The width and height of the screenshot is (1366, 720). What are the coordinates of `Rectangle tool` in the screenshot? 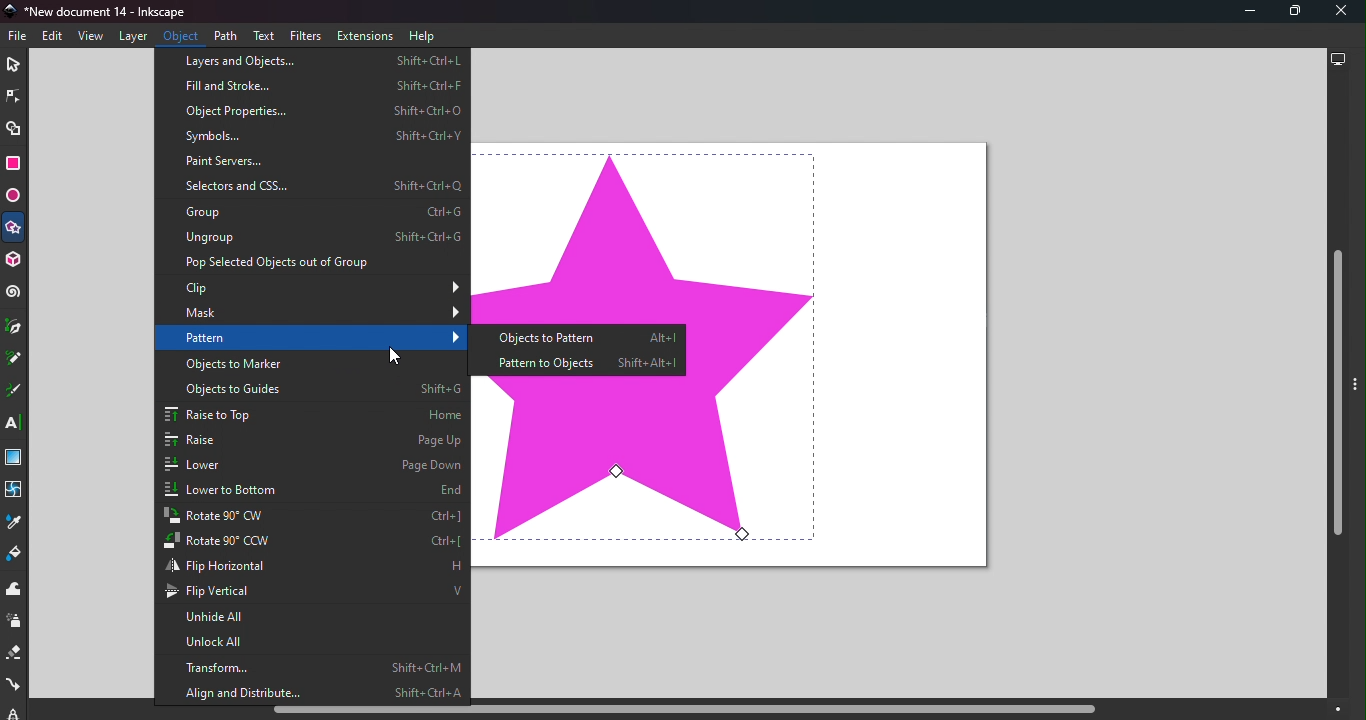 It's located at (13, 166).